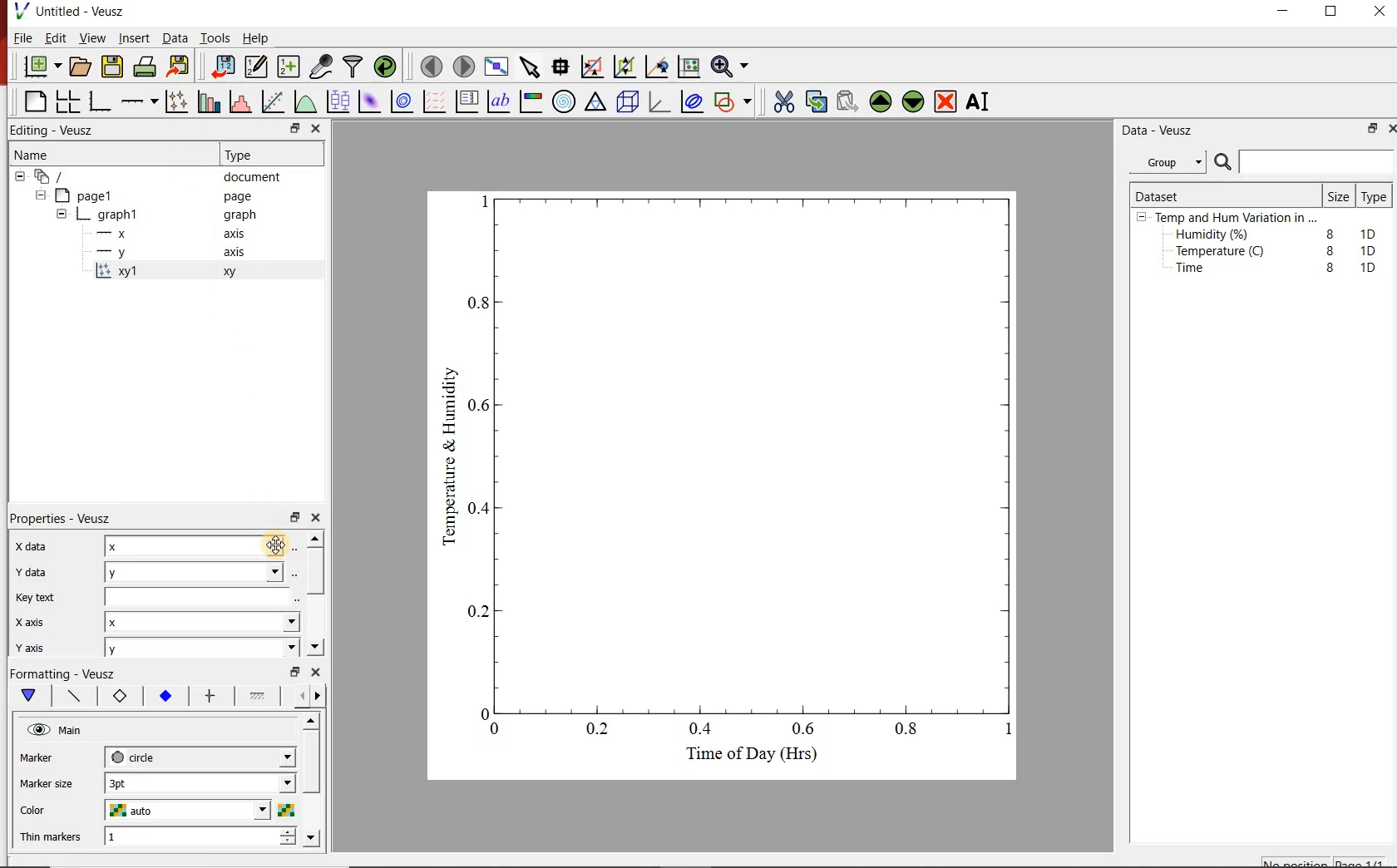 The image size is (1397, 868). Describe the element at coordinates (37, 570) in the screenshot. I see `y data` at that location.